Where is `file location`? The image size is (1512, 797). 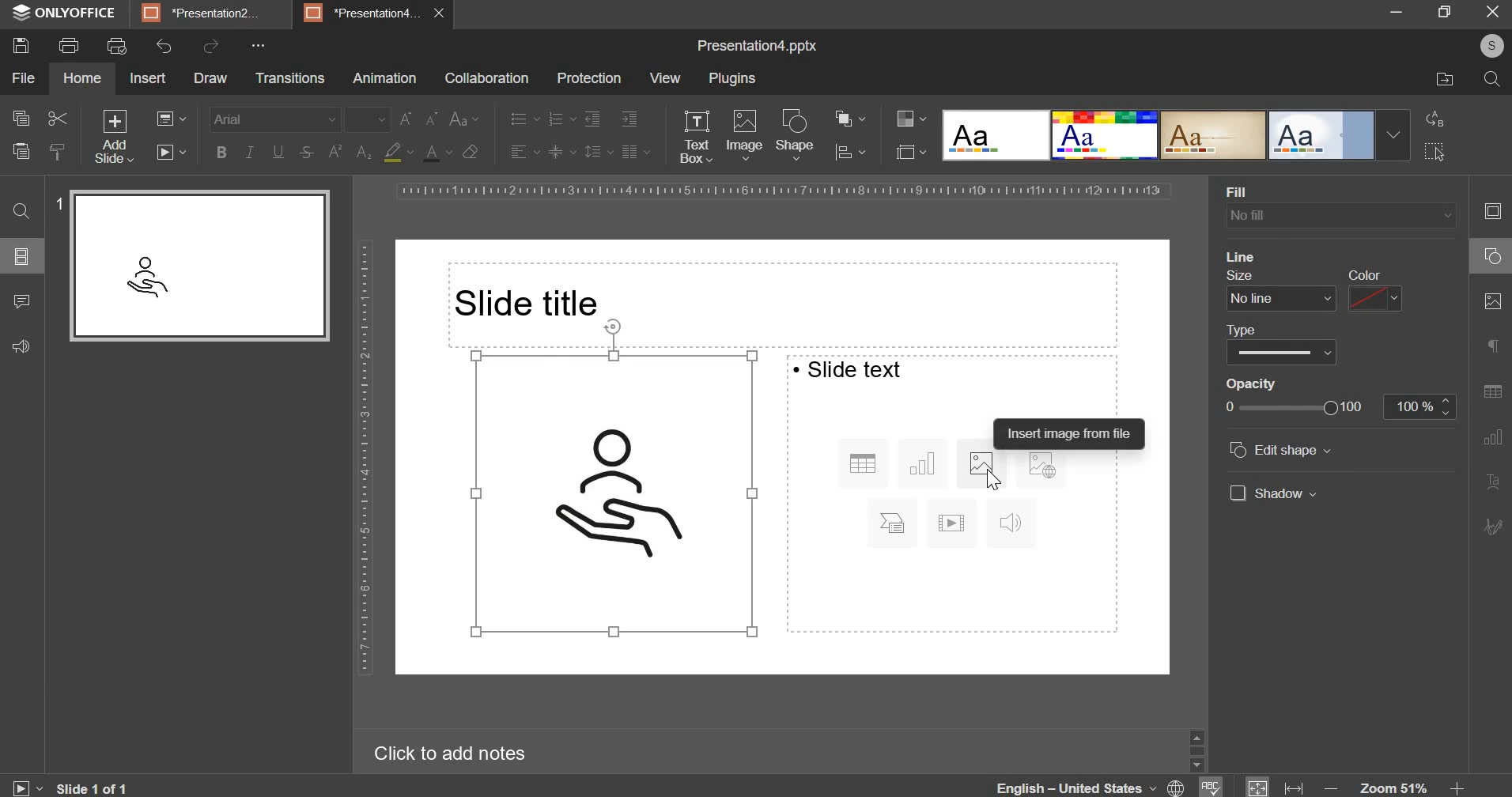
file location is located at coordinates (1445, 80).